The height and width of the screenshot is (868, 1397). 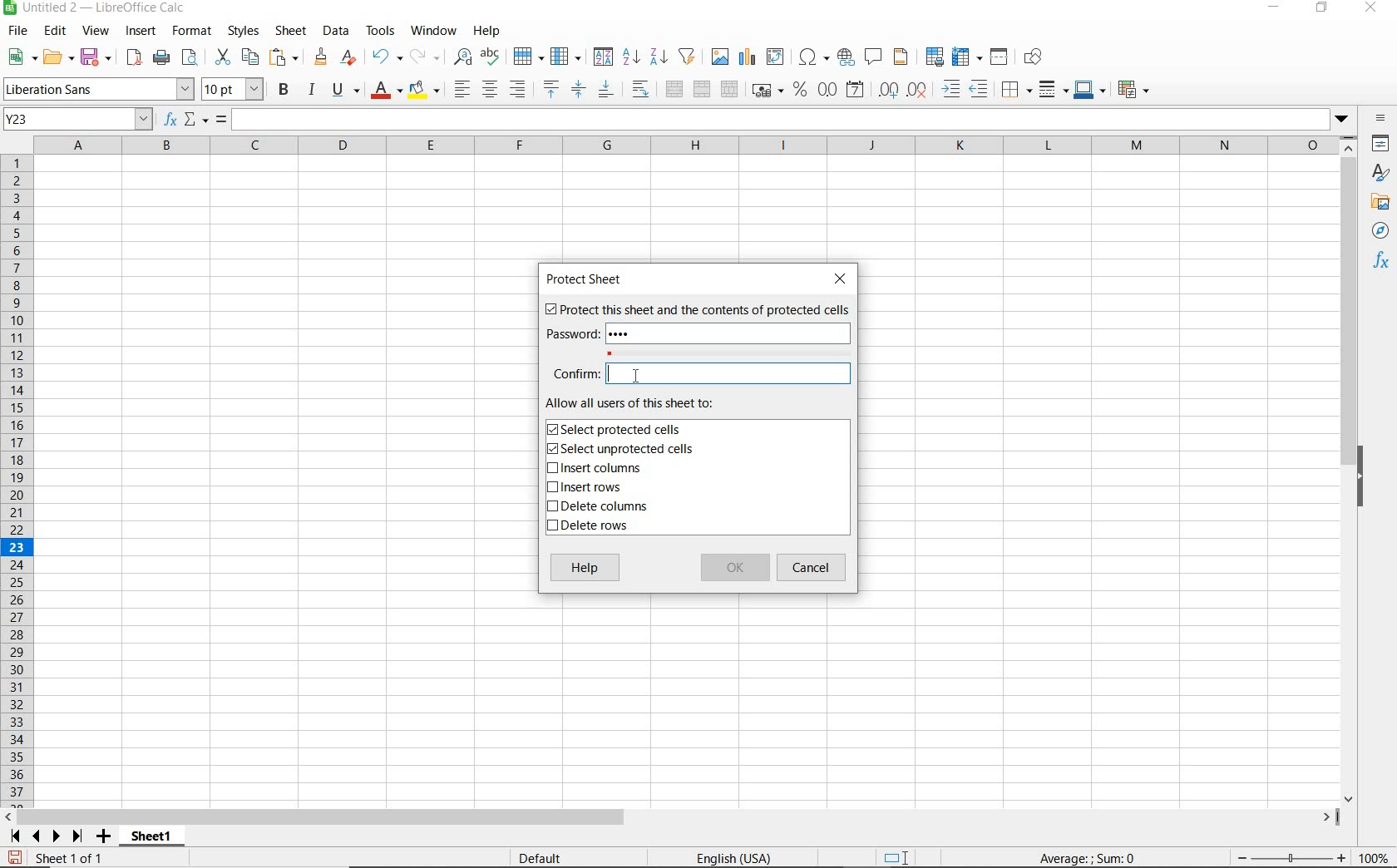 What do you see at coordinates (887, 89) in the screenshot?
I see `ADD DECIMAL PLACE` at bounding box center [887, 89].